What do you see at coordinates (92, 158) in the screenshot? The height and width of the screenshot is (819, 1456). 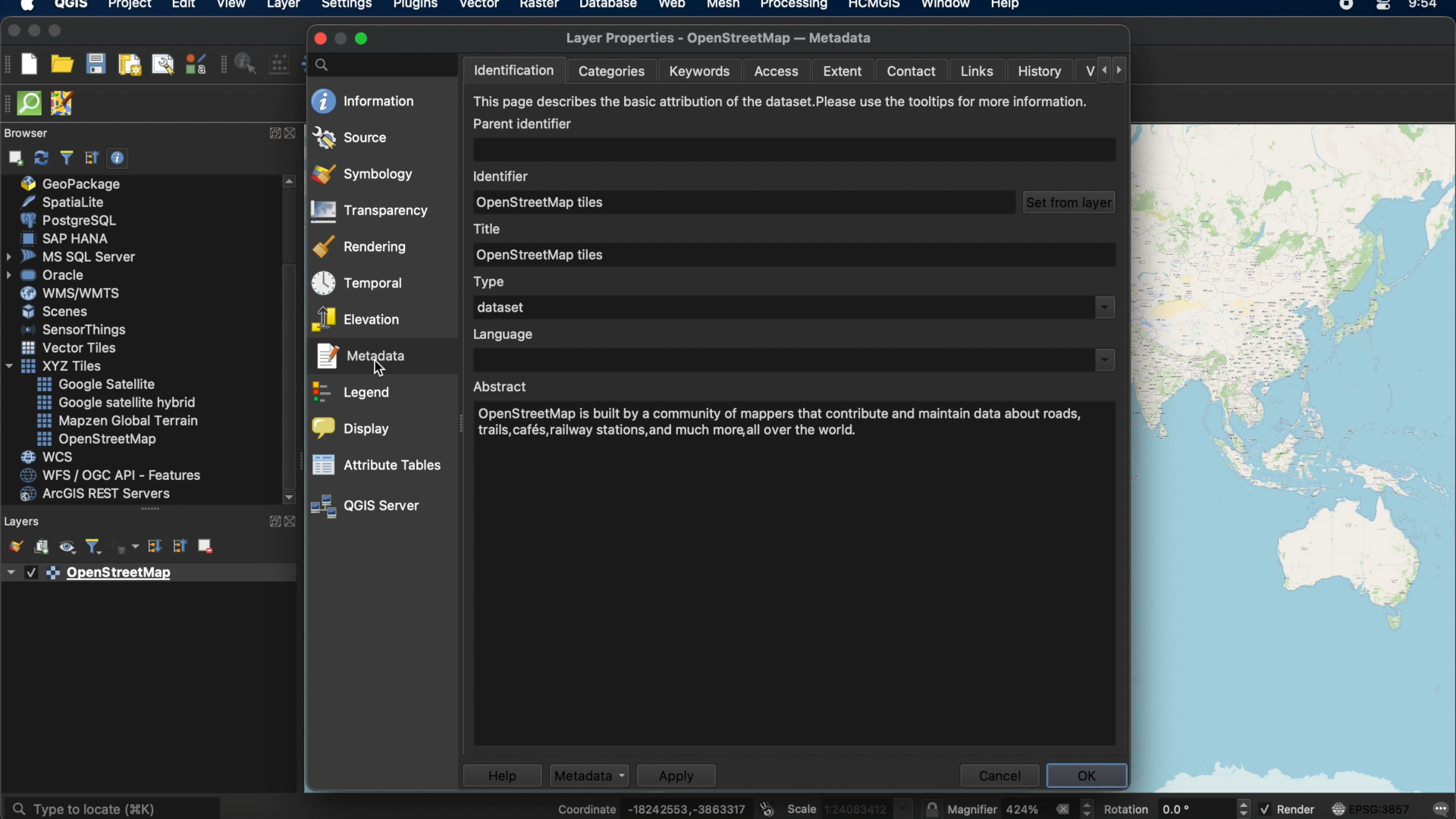 I see `collapse all` at bounding box center [92, 158].